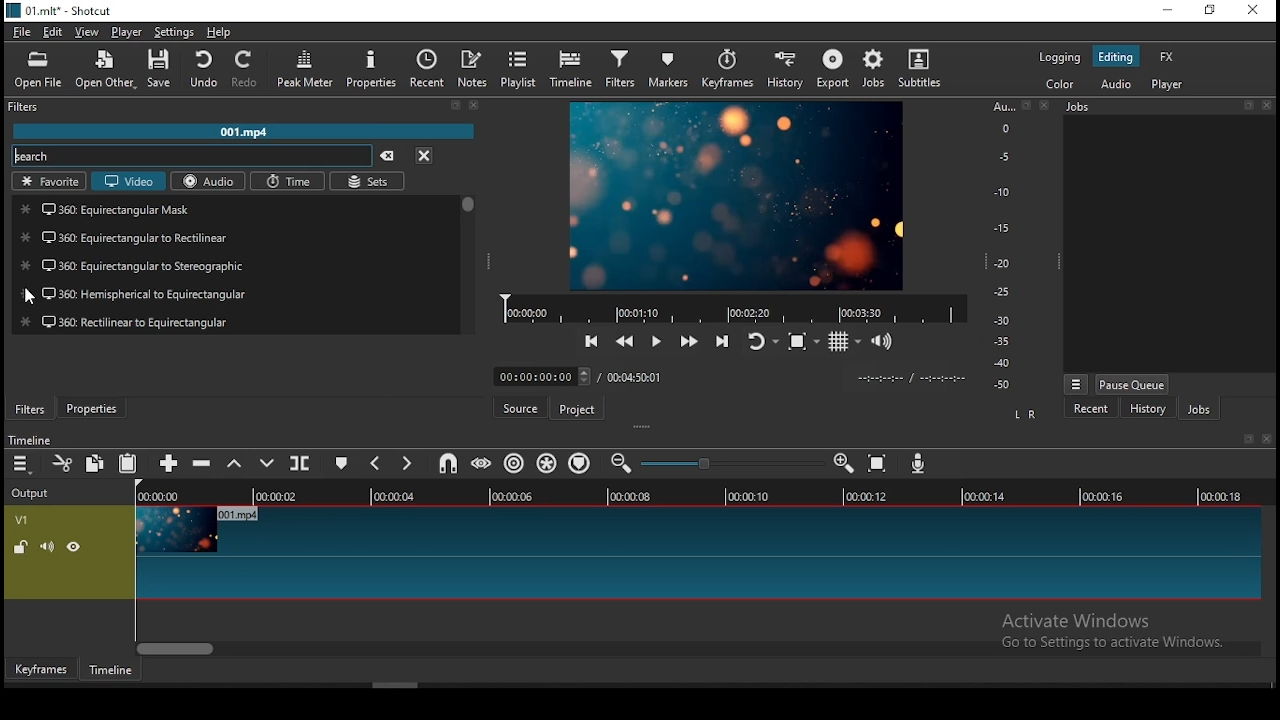 Image resolution: width=1280 pixels, height=720 pixels. Describe the element at coordinates (719, 338) in the screenshot. I see `skip to the next point` at that location.